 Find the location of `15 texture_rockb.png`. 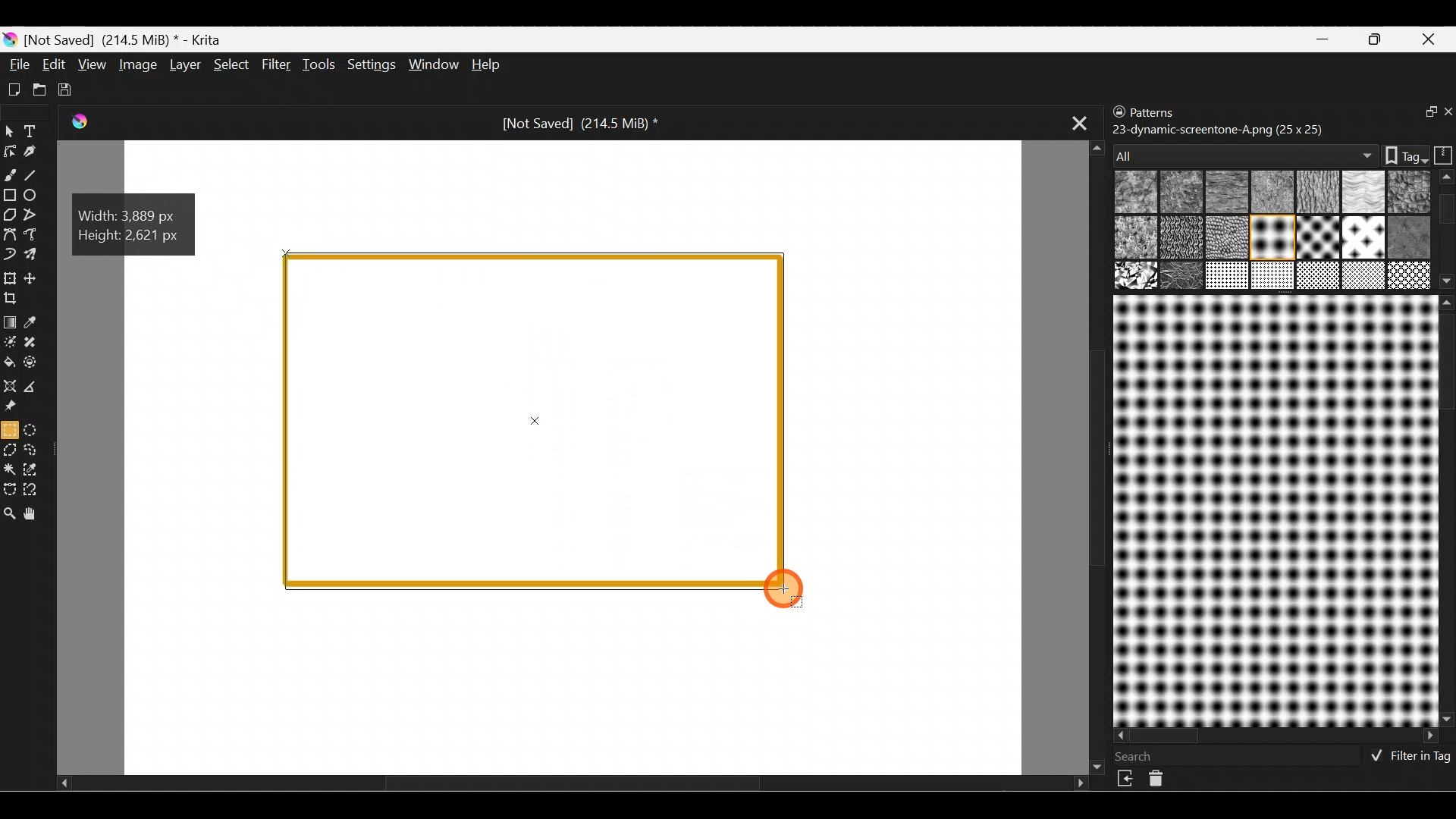

15 texture_rockb.png is located at coordinates (1183, 277).